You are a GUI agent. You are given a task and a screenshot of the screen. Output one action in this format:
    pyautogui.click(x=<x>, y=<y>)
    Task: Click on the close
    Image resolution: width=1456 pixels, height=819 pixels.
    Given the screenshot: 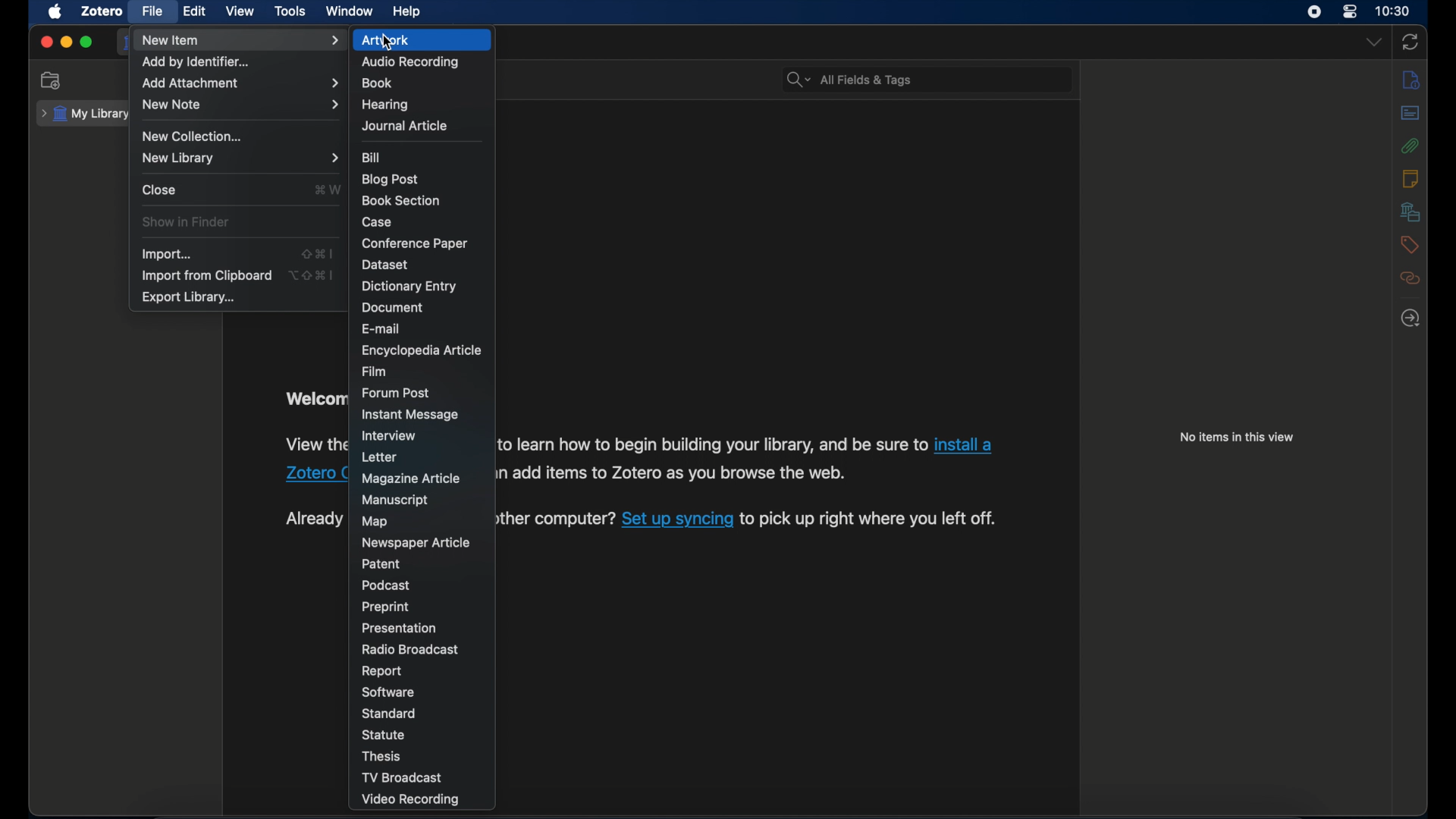 What is the action you would take?
    pyautogui.click(x=47, y=42)
    